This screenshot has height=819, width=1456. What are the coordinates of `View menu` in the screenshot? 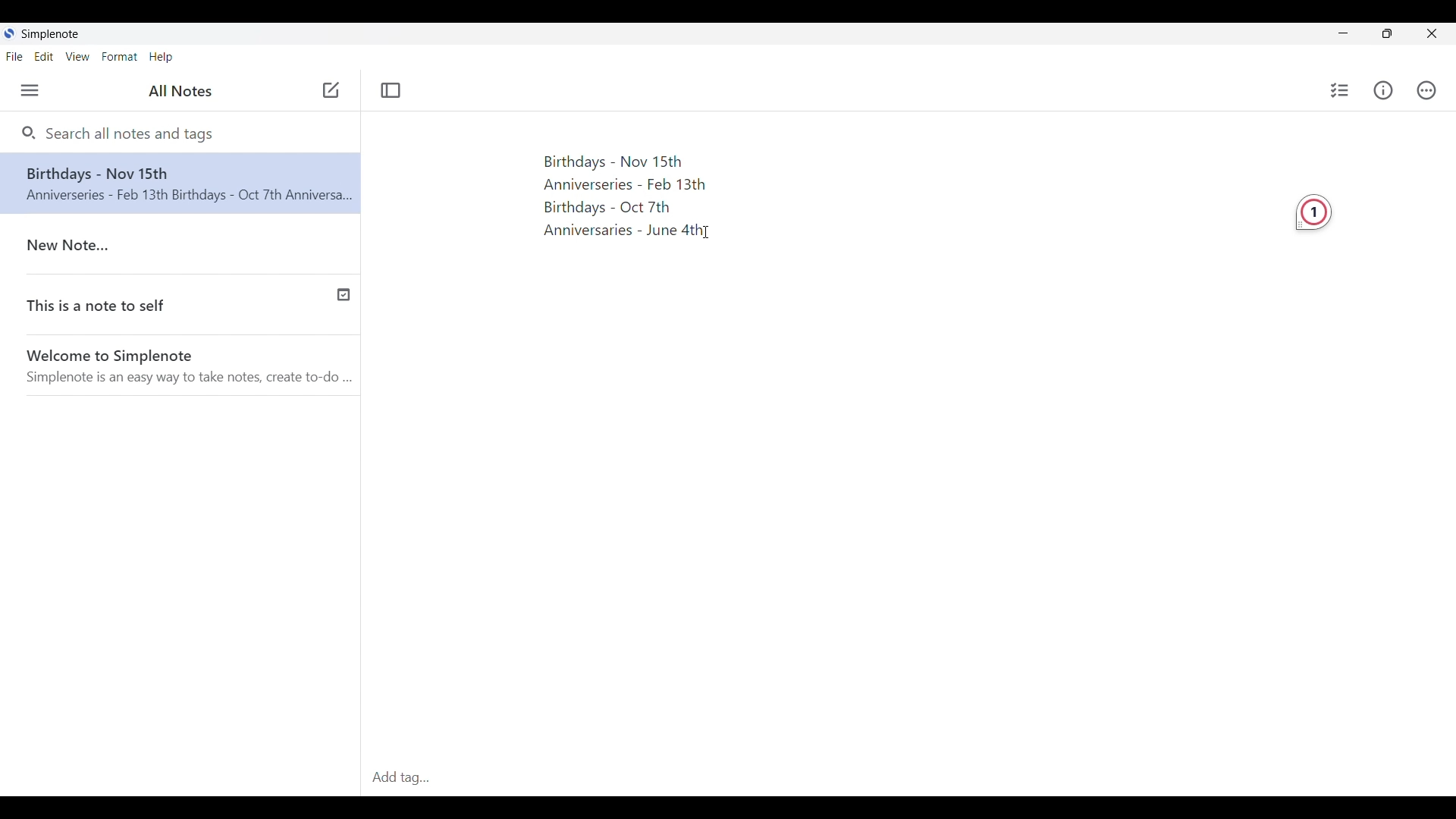 It's located at (78, 56).